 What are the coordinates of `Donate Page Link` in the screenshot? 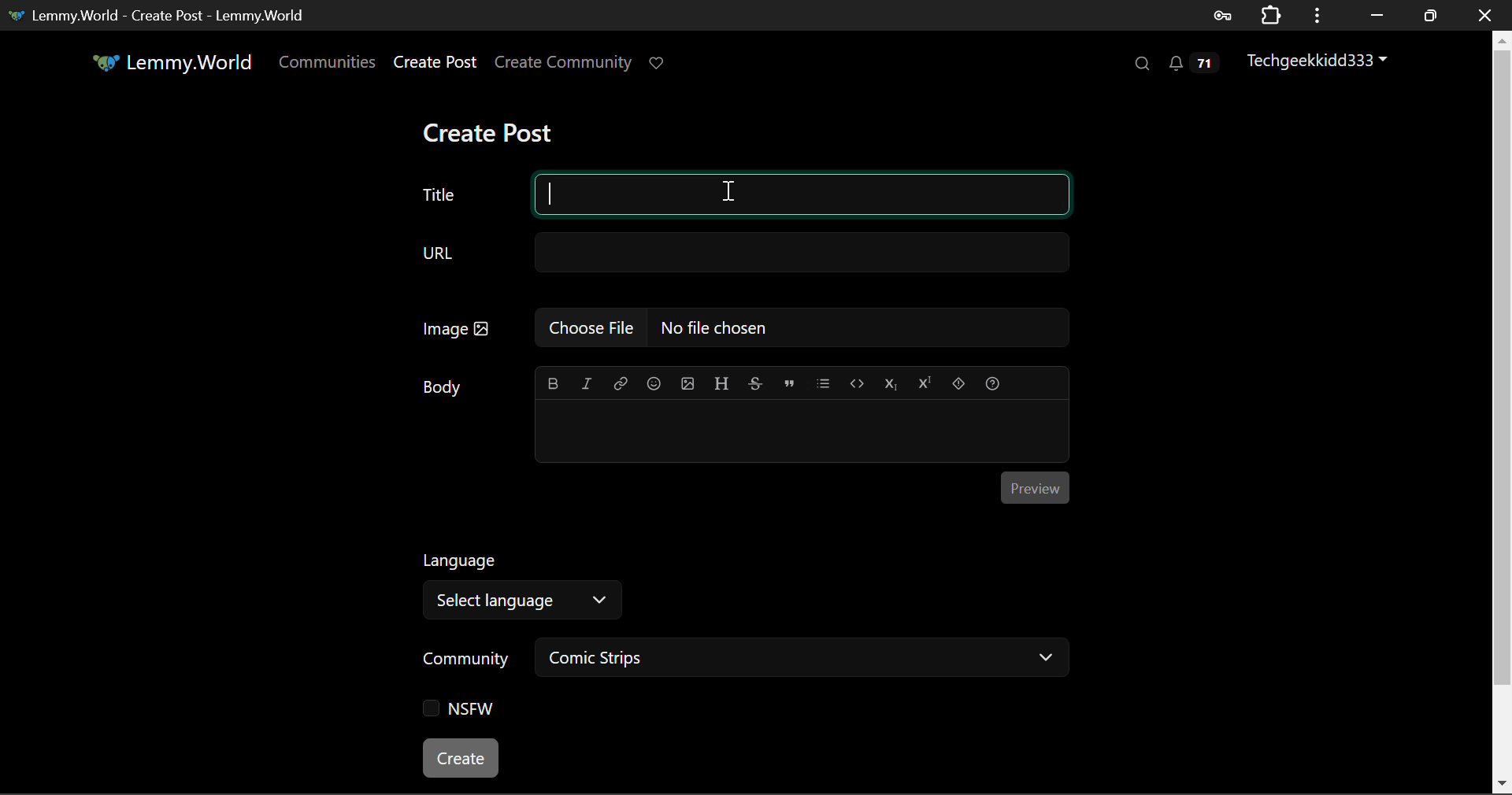 It's located at (658, 63).